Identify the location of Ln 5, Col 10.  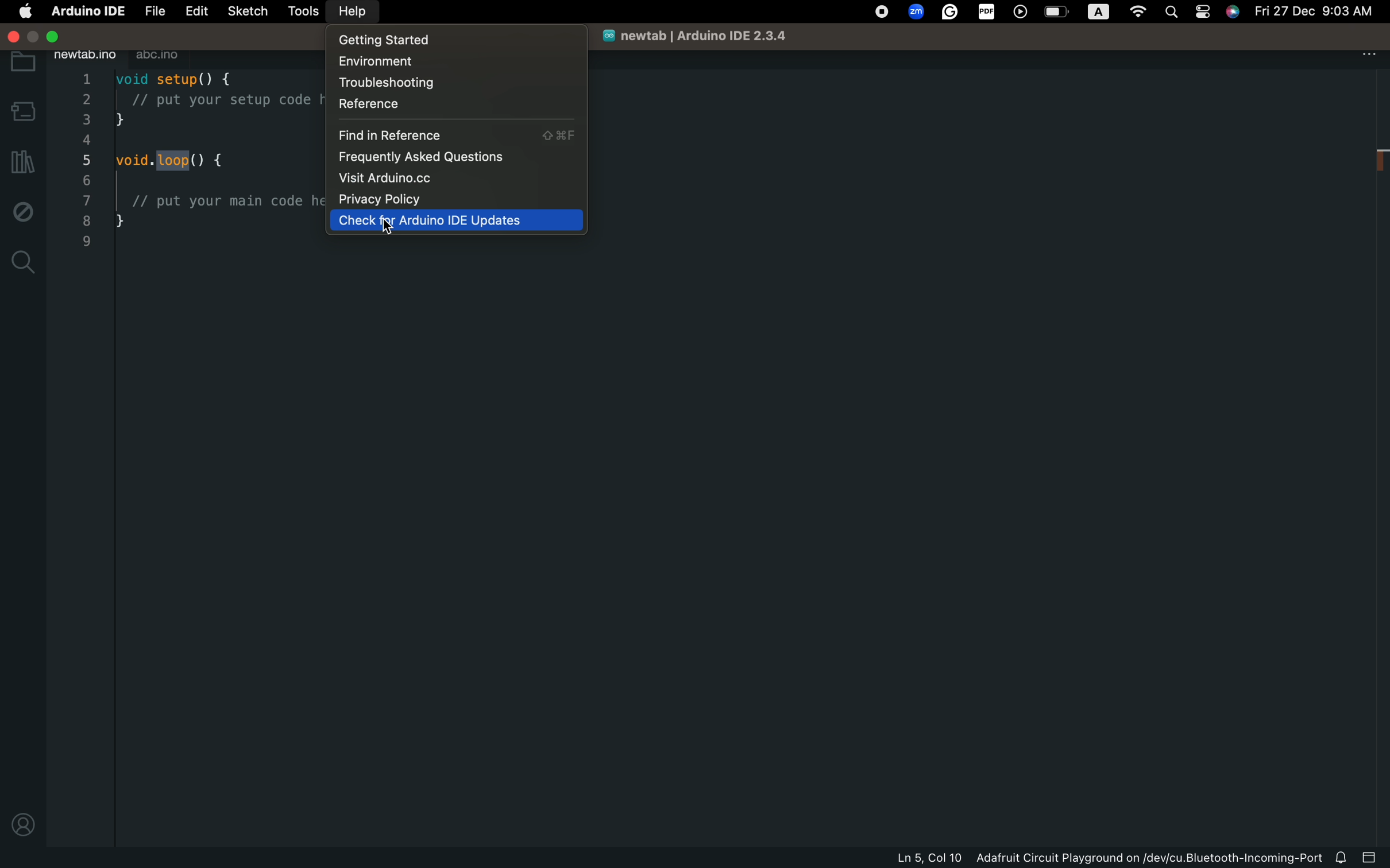
(928, 858).